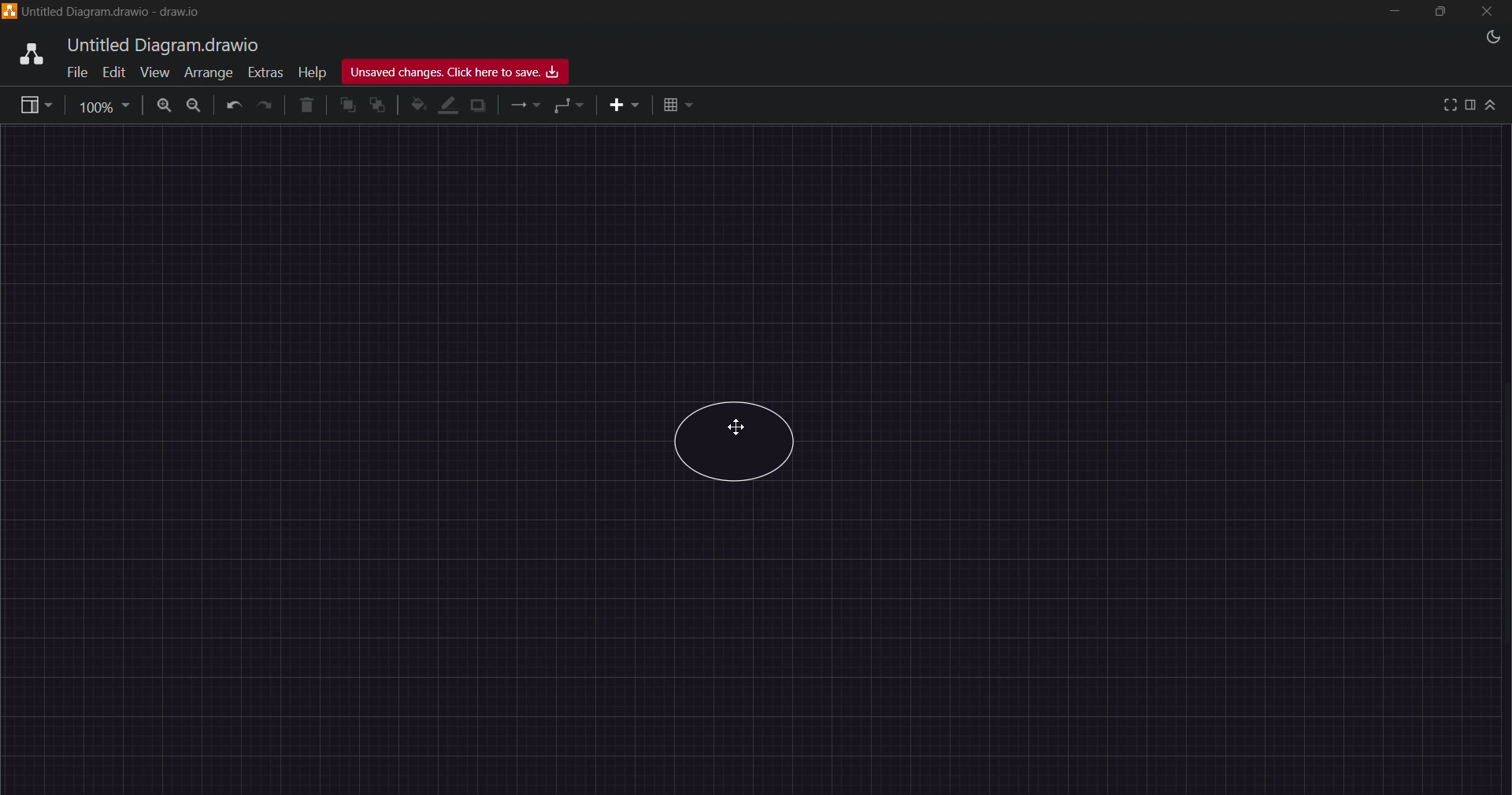  What do you see at coordinates (675, 105) in the screenshot?
I see `table` at bounding box center [675, 105].